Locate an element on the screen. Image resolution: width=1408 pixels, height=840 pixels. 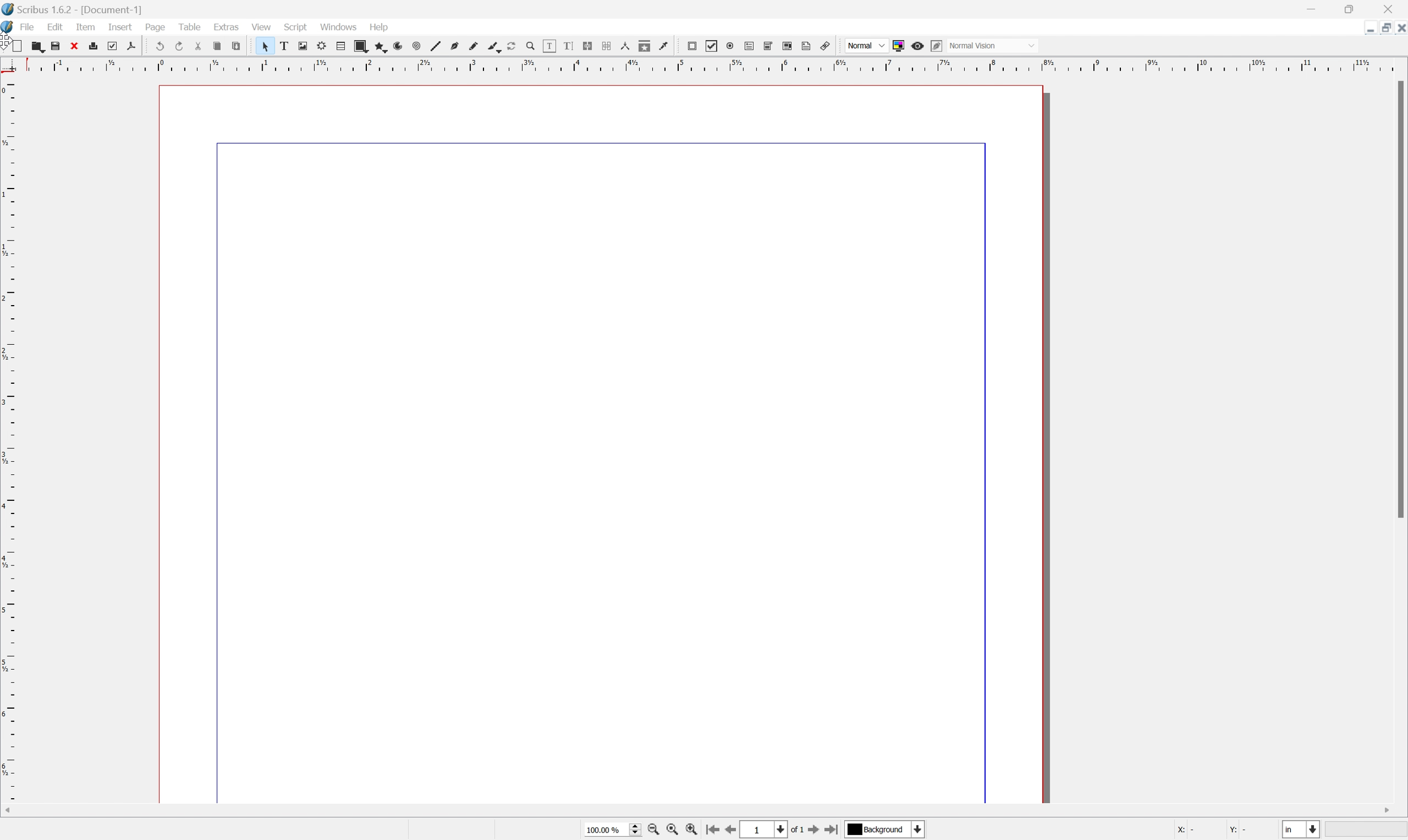
scroll bar is located at coordinates (703, 811).